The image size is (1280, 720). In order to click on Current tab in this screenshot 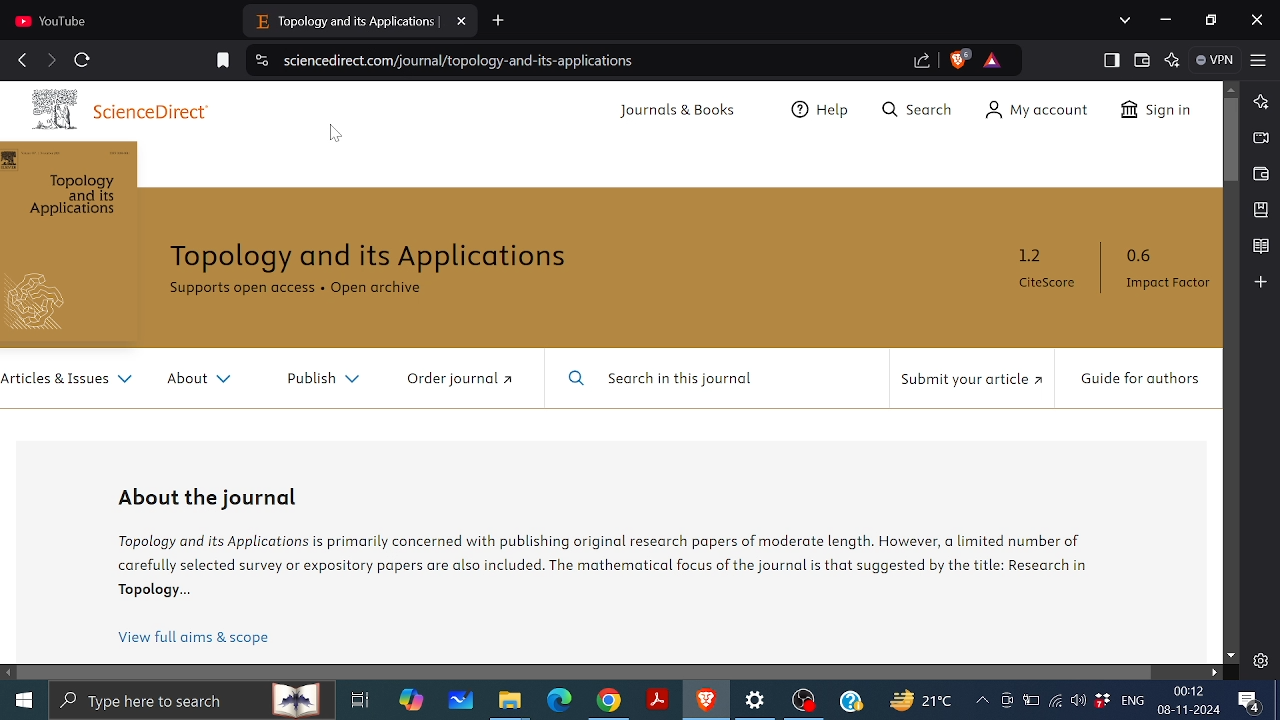, I will do `click(359, 21)`.